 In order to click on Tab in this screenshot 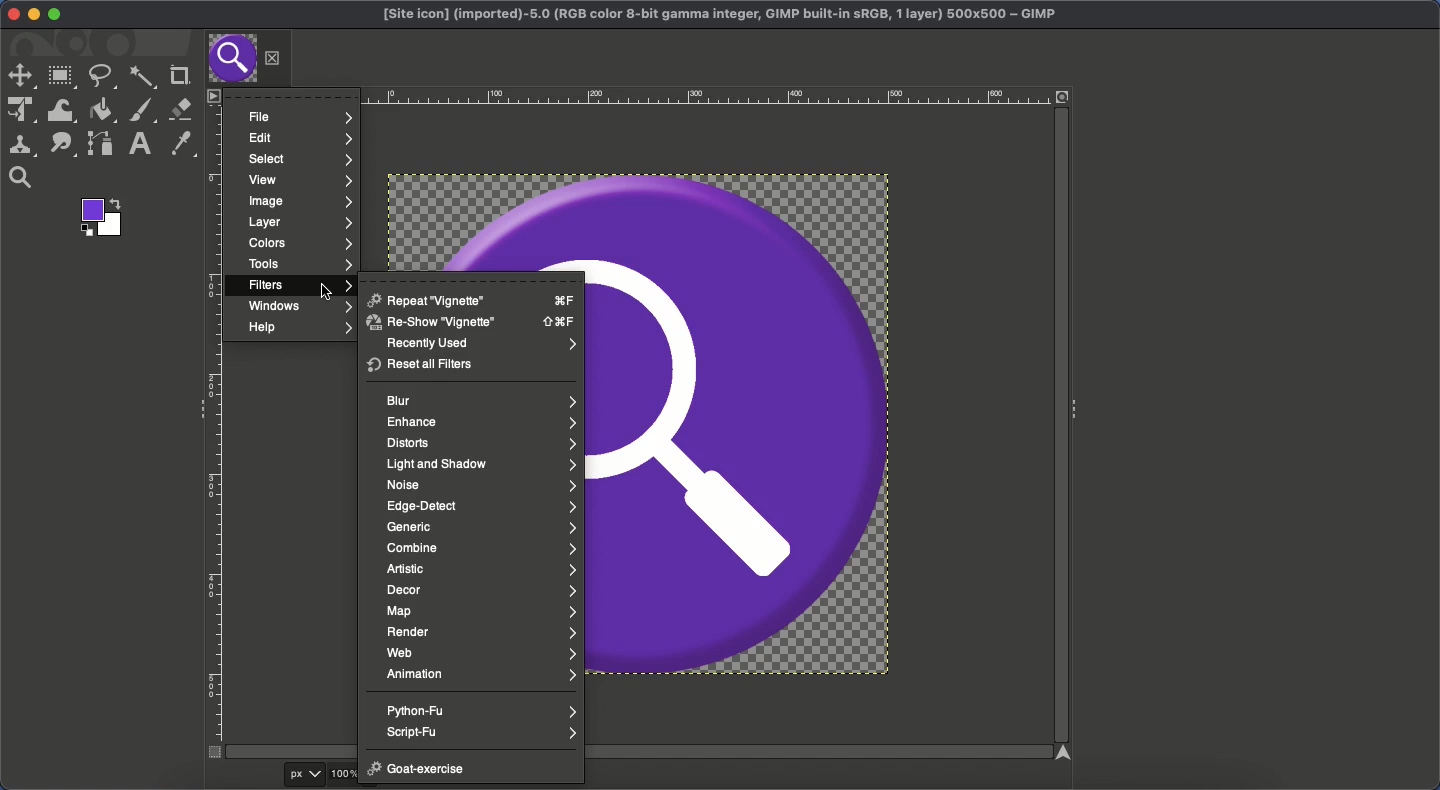, I will do `click(231, 59)`.